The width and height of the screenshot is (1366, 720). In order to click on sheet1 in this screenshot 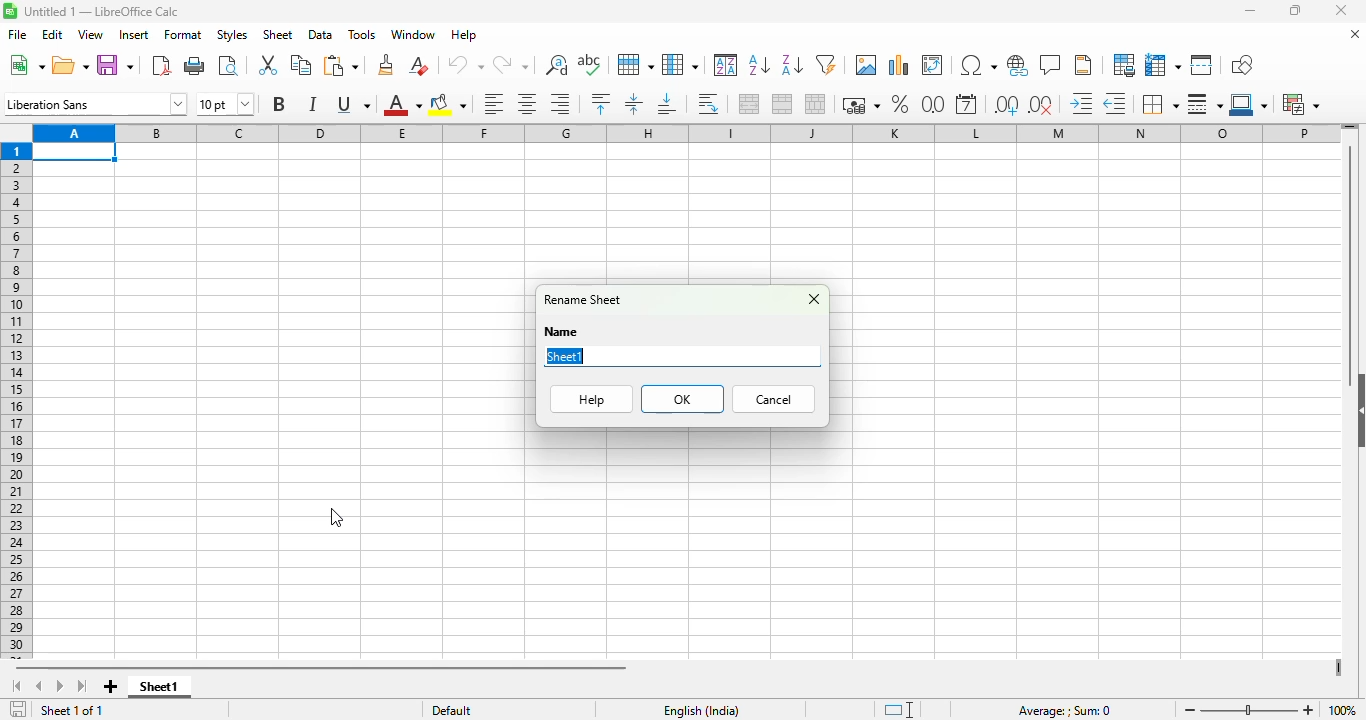, I will do `click(156, 686)`.